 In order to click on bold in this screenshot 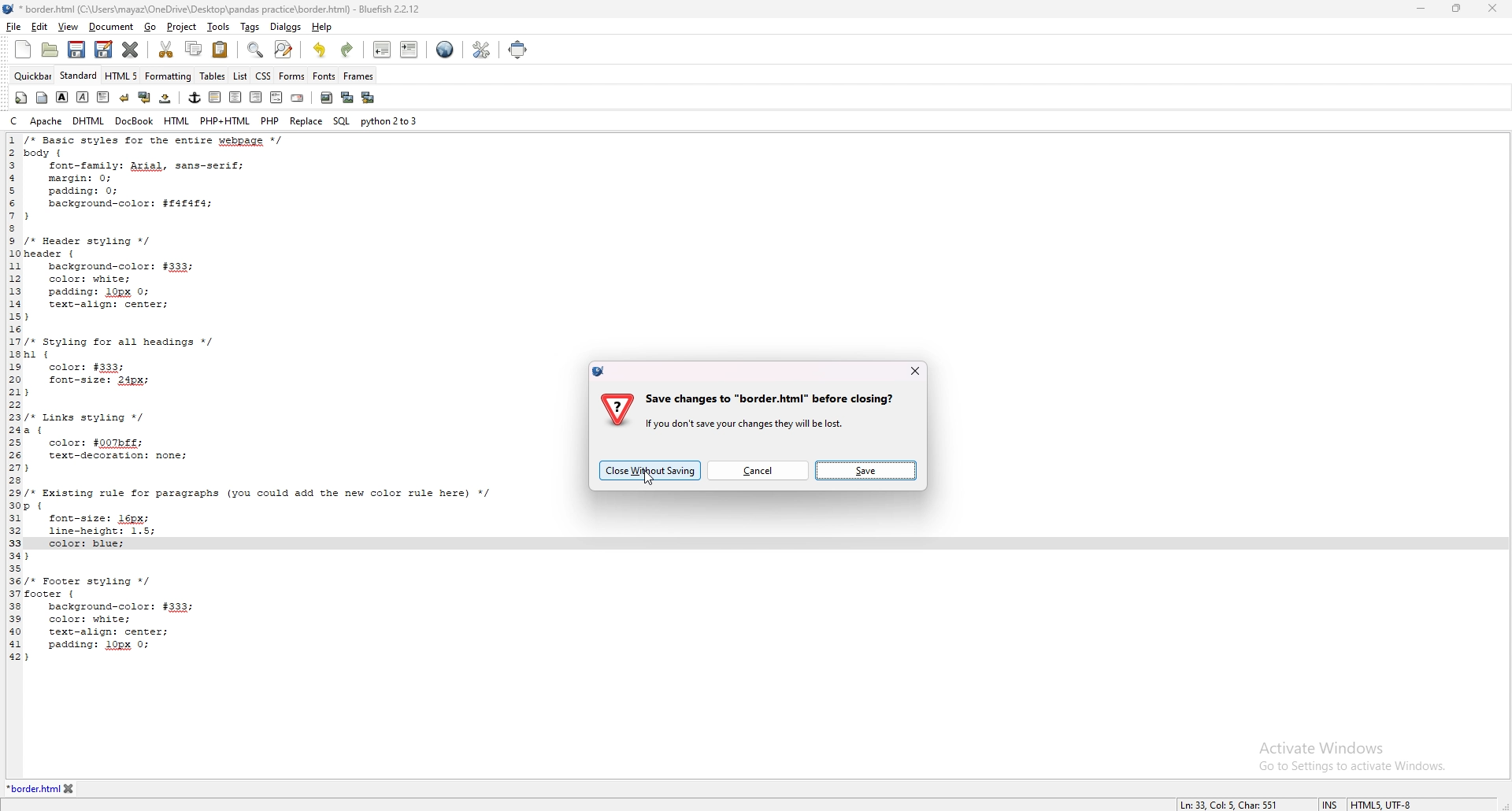, I will do `click(61, 97)`.